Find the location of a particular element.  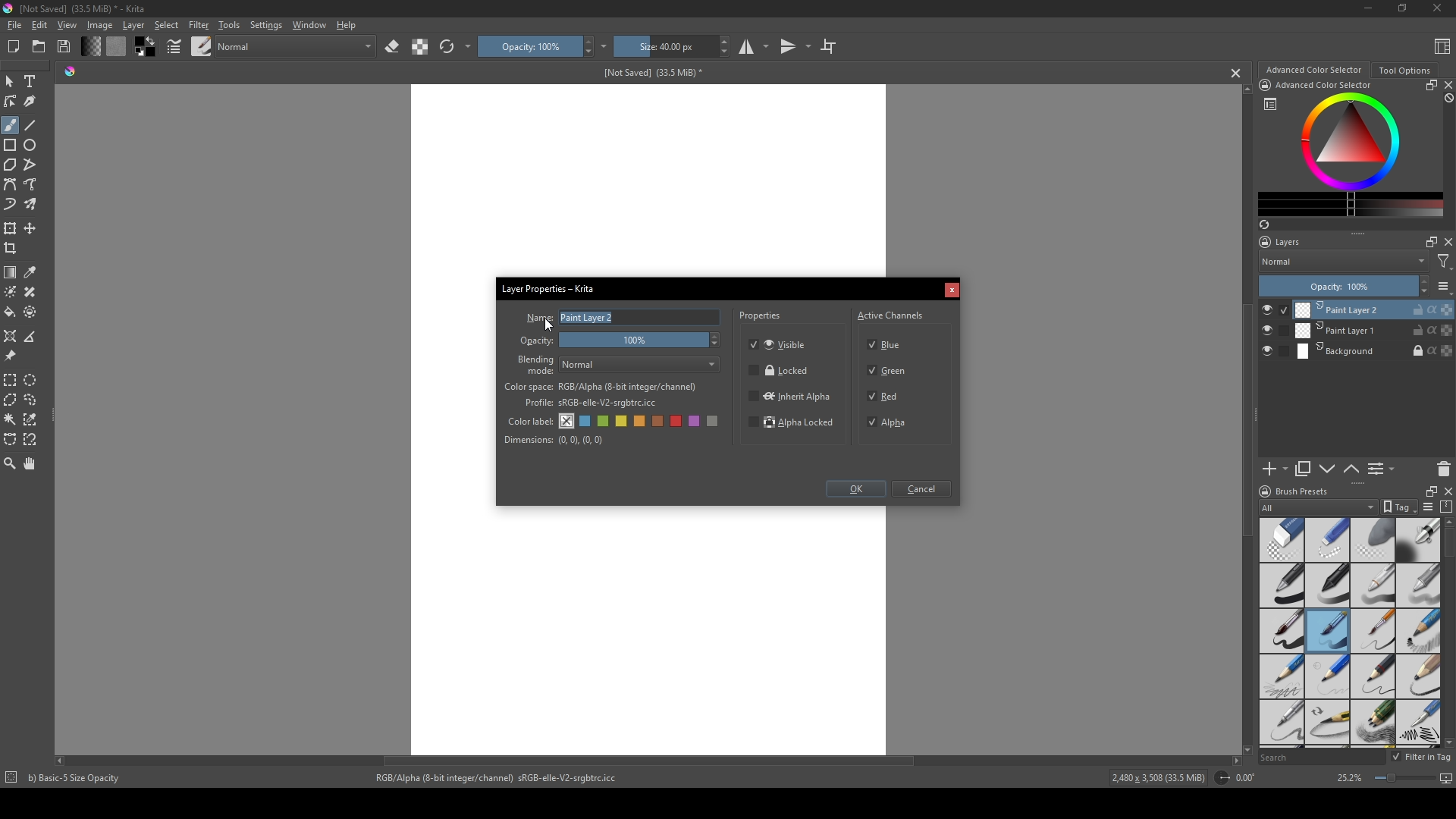

scroll up is located at coordinates (1447, 522).